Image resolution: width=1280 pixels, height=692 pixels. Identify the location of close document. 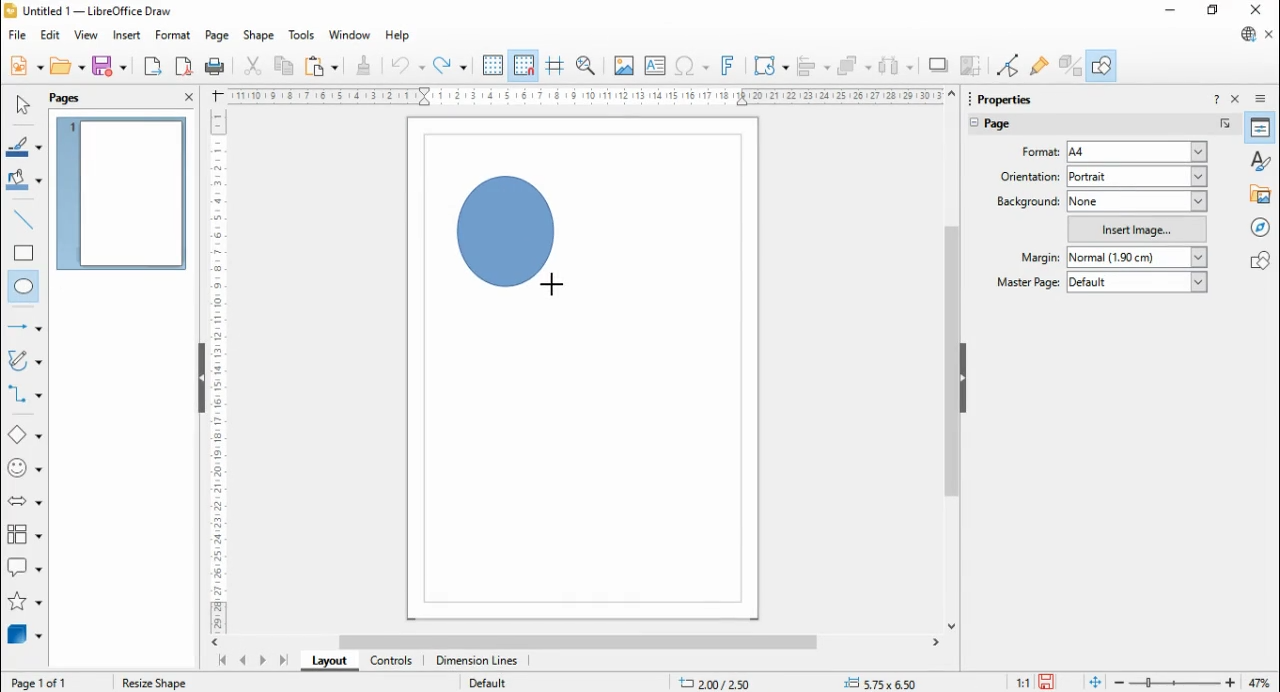
(1270, 35).